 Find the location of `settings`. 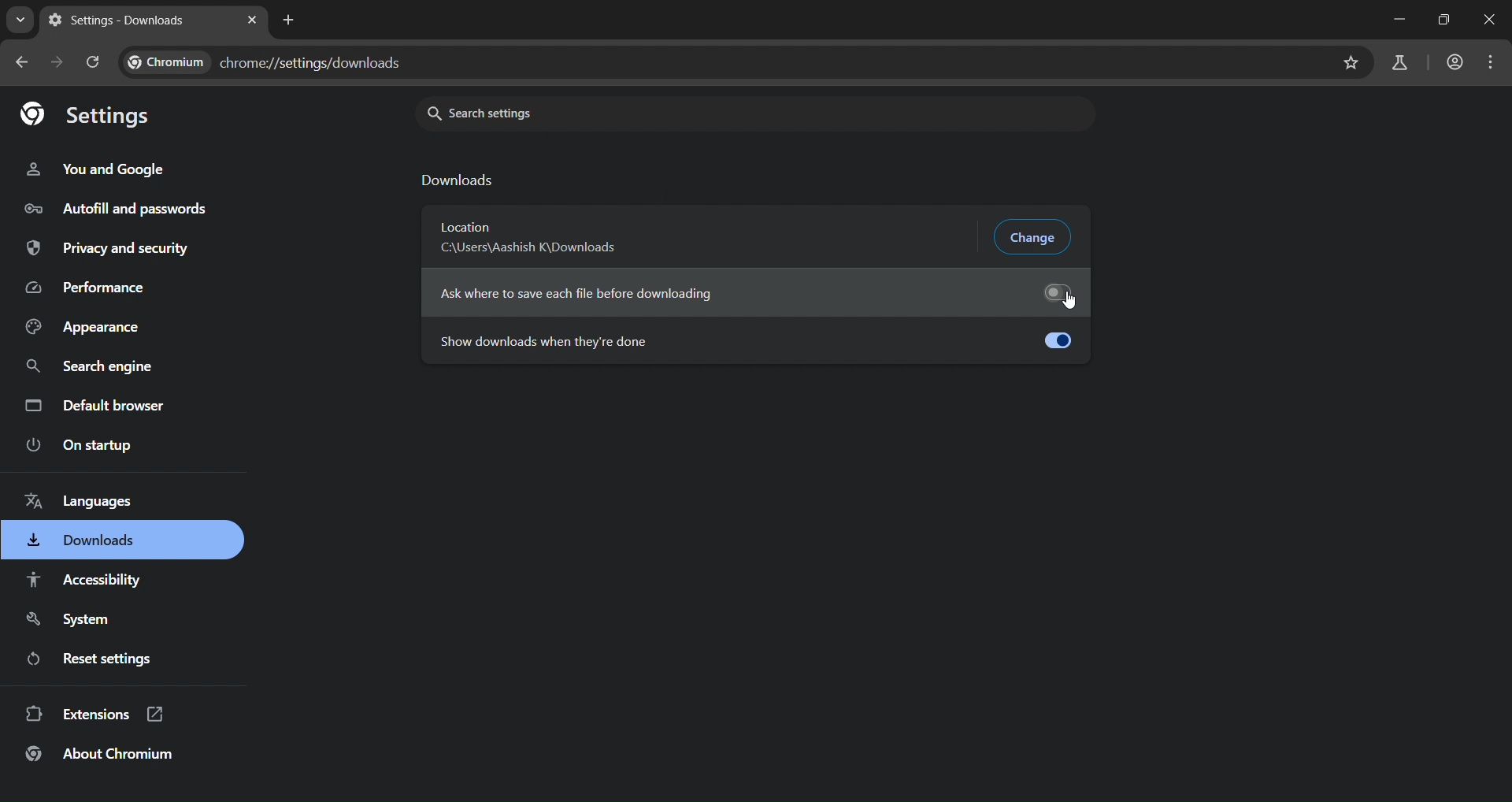

settings is located at coordinates (88, 115).